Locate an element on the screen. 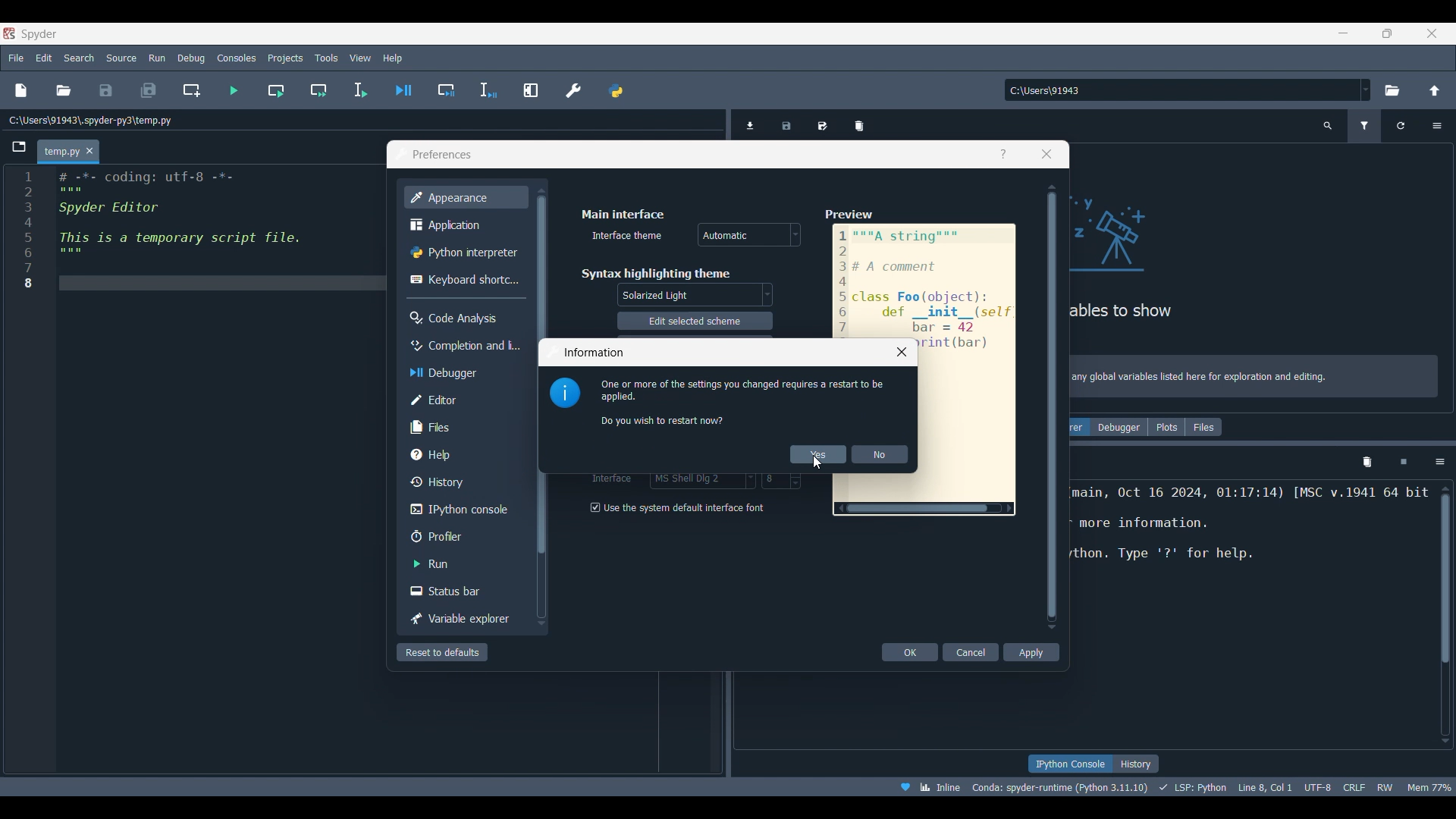 Image resolution: width=1456 pixels, height=819 pixels. Options is located at coordinates (1436, 126).